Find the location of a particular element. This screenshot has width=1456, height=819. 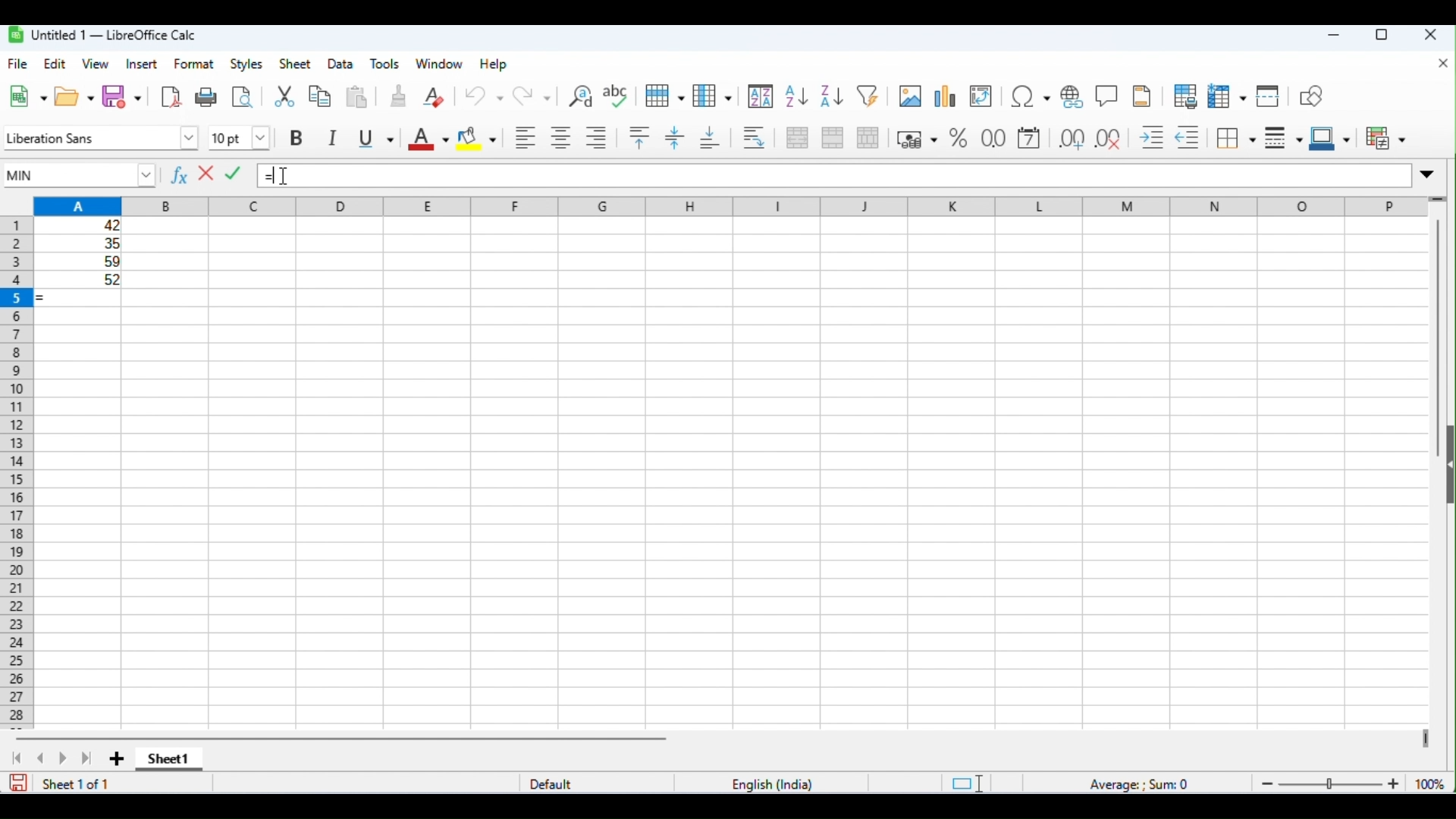

insert chart is located at coordinates (943, 96).